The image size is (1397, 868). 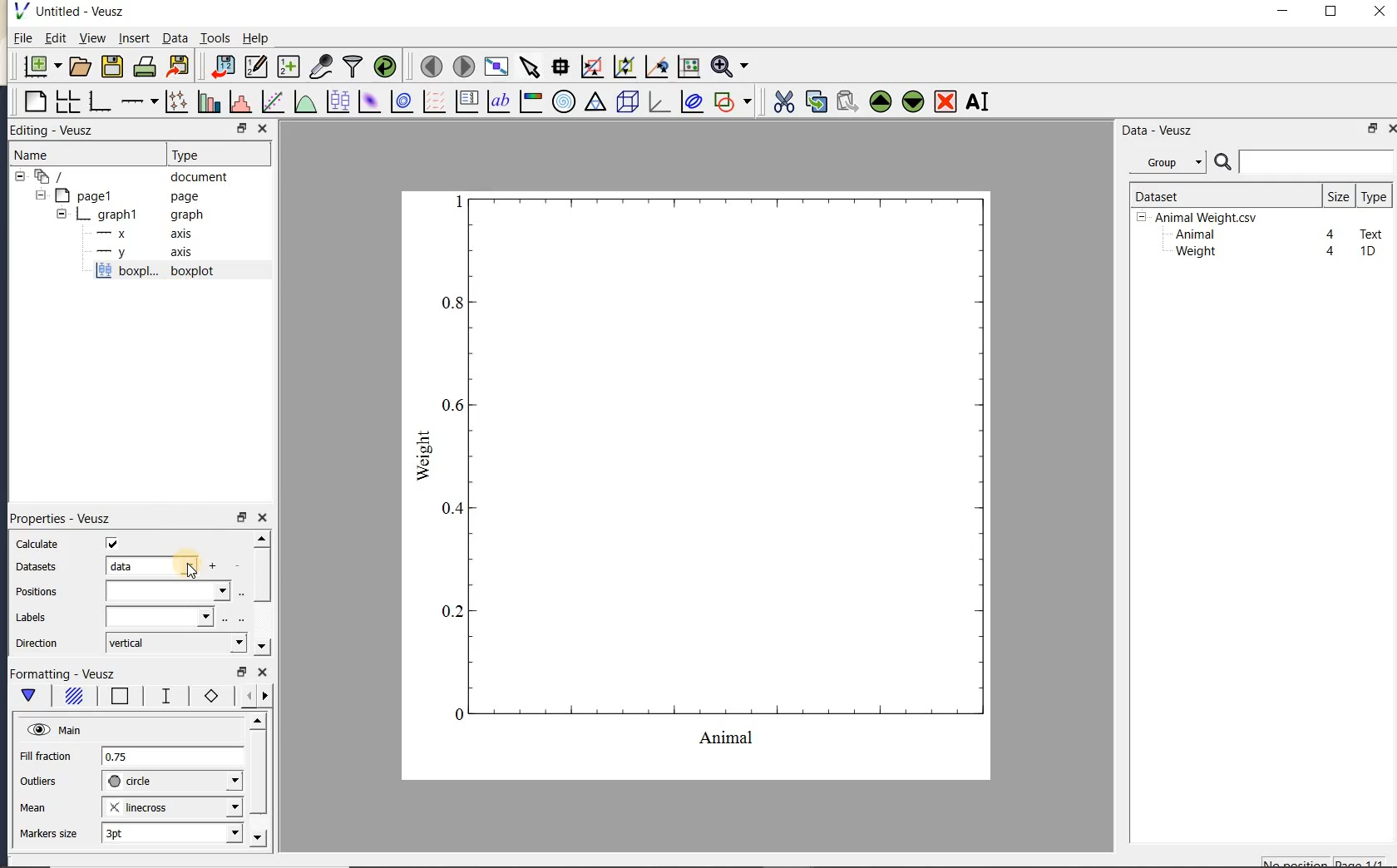 What do you see at coordinates (1158, 131) in the screenshot?
I see `Data-Veusz` at bounding box center [1158, 131].